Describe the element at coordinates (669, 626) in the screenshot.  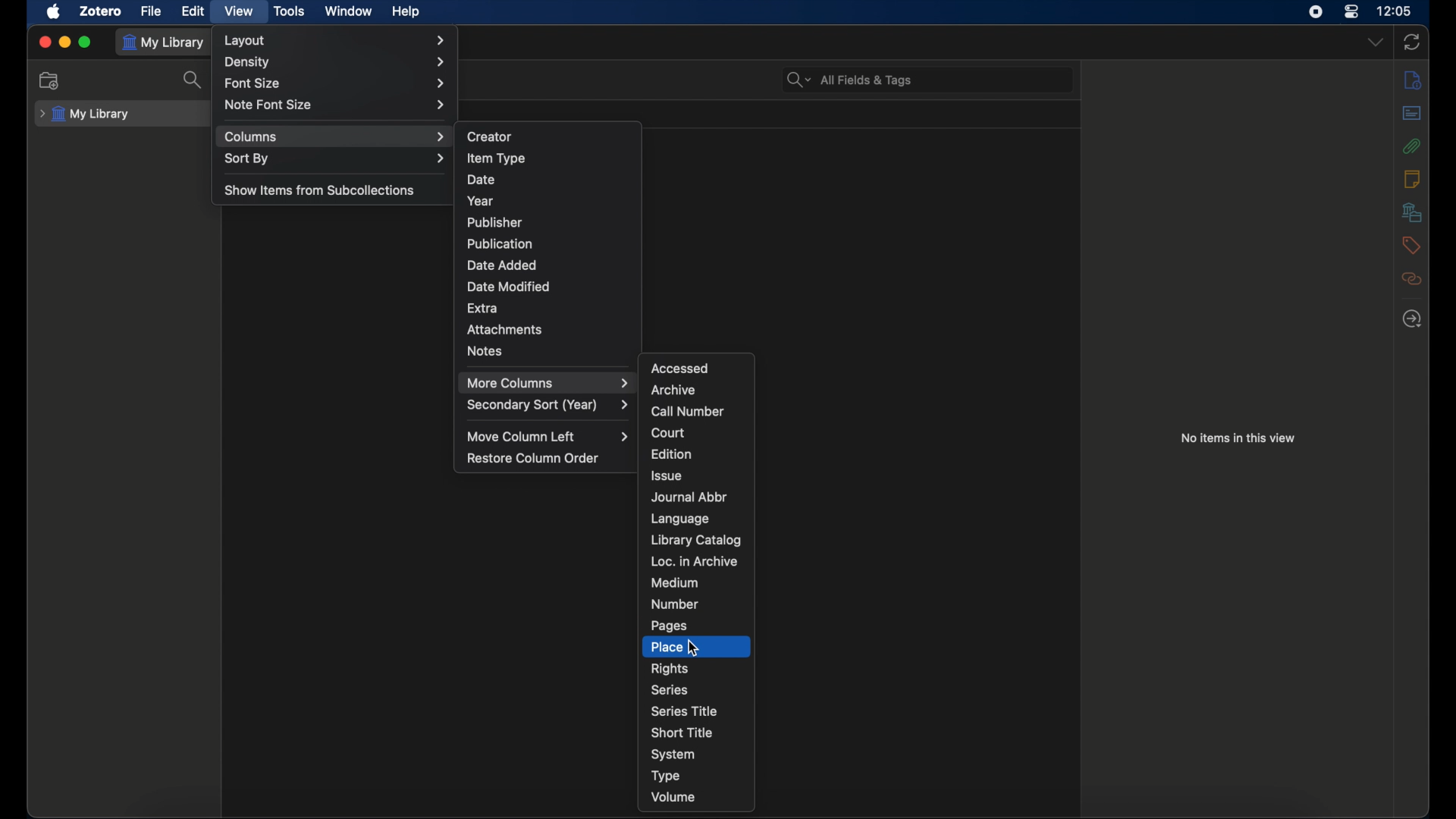
I see `pages` at that location.